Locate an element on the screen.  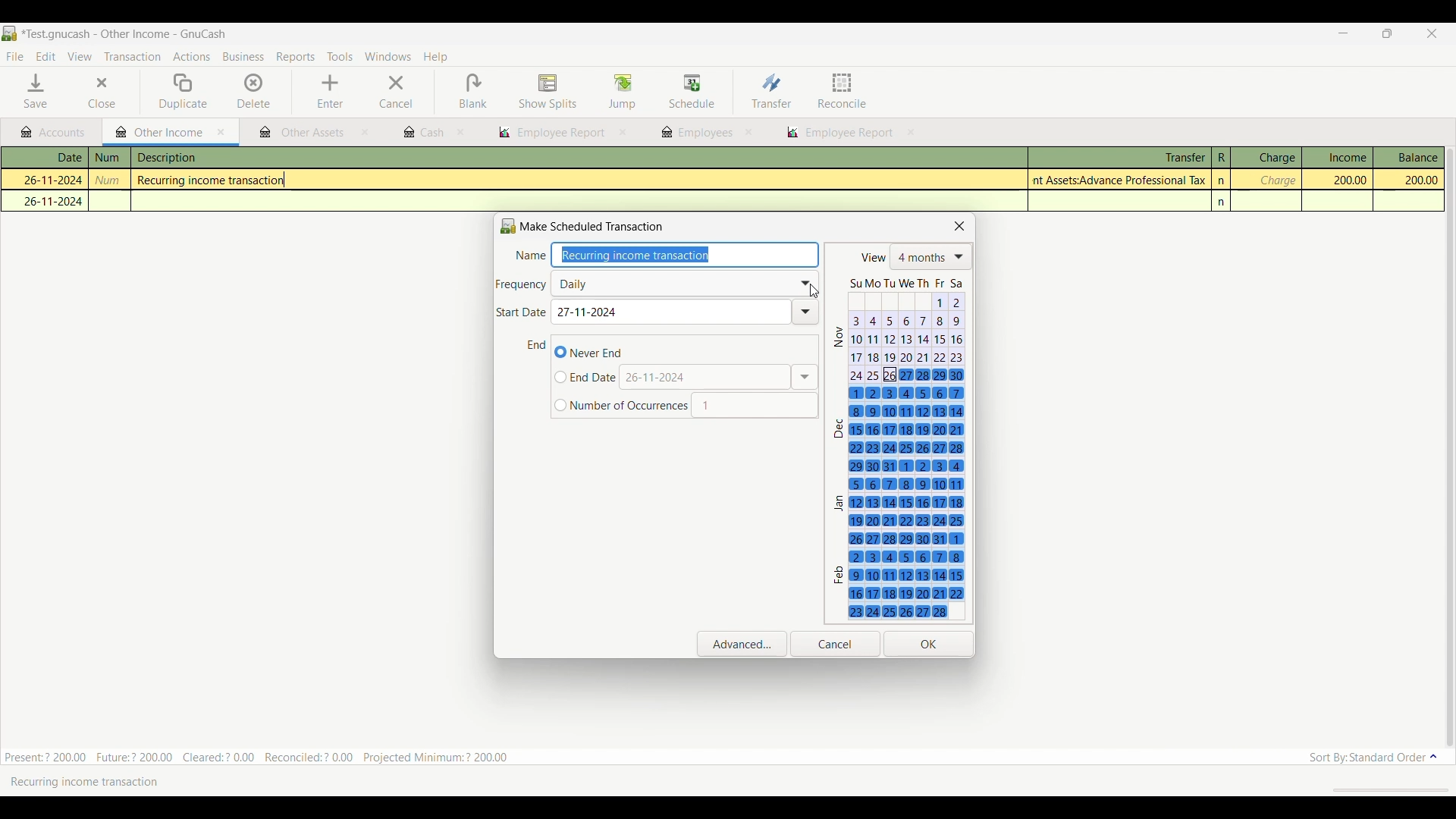
200.00 is located at coordinates (1342, 180).